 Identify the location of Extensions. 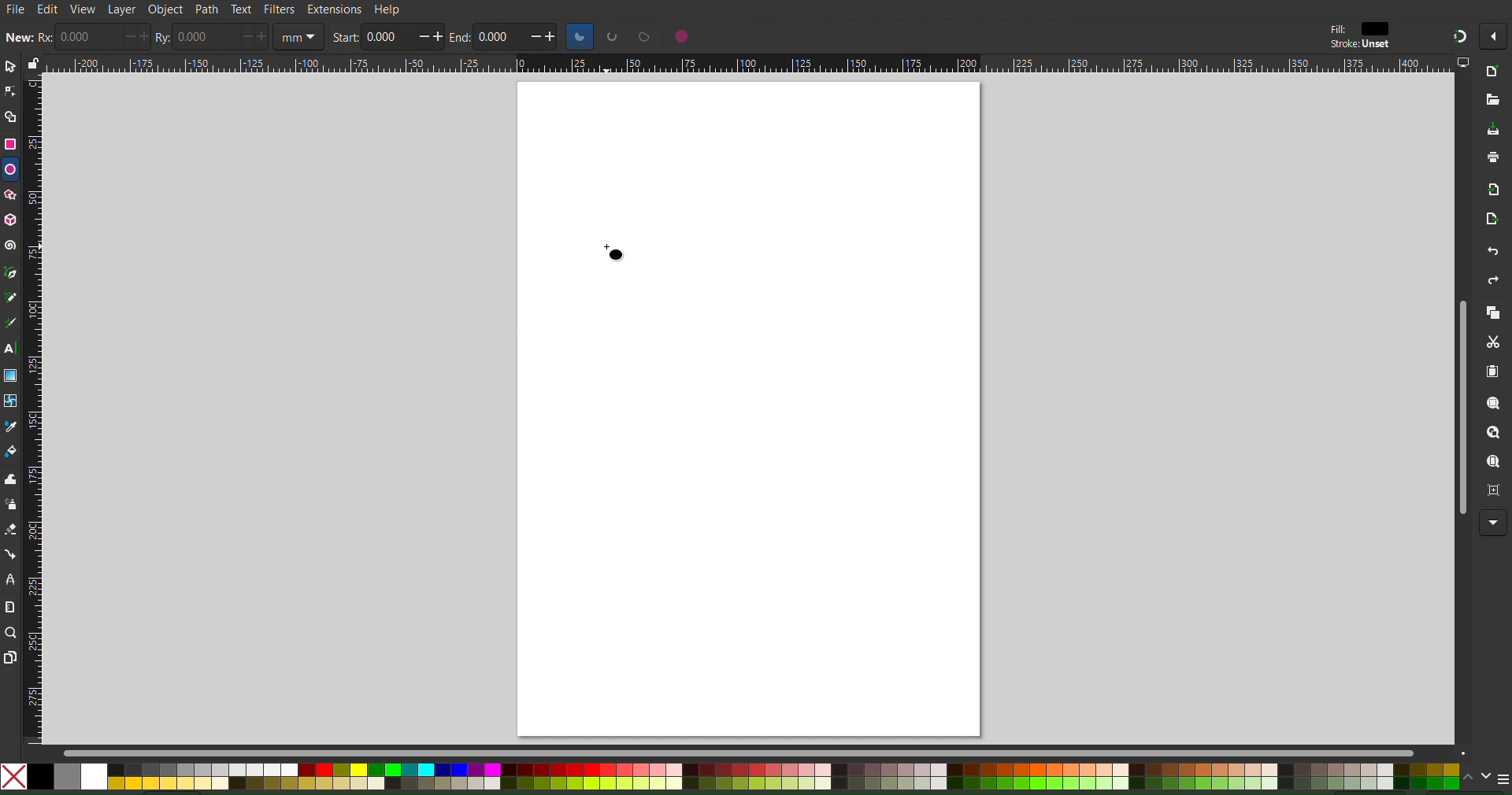
(333, 9).